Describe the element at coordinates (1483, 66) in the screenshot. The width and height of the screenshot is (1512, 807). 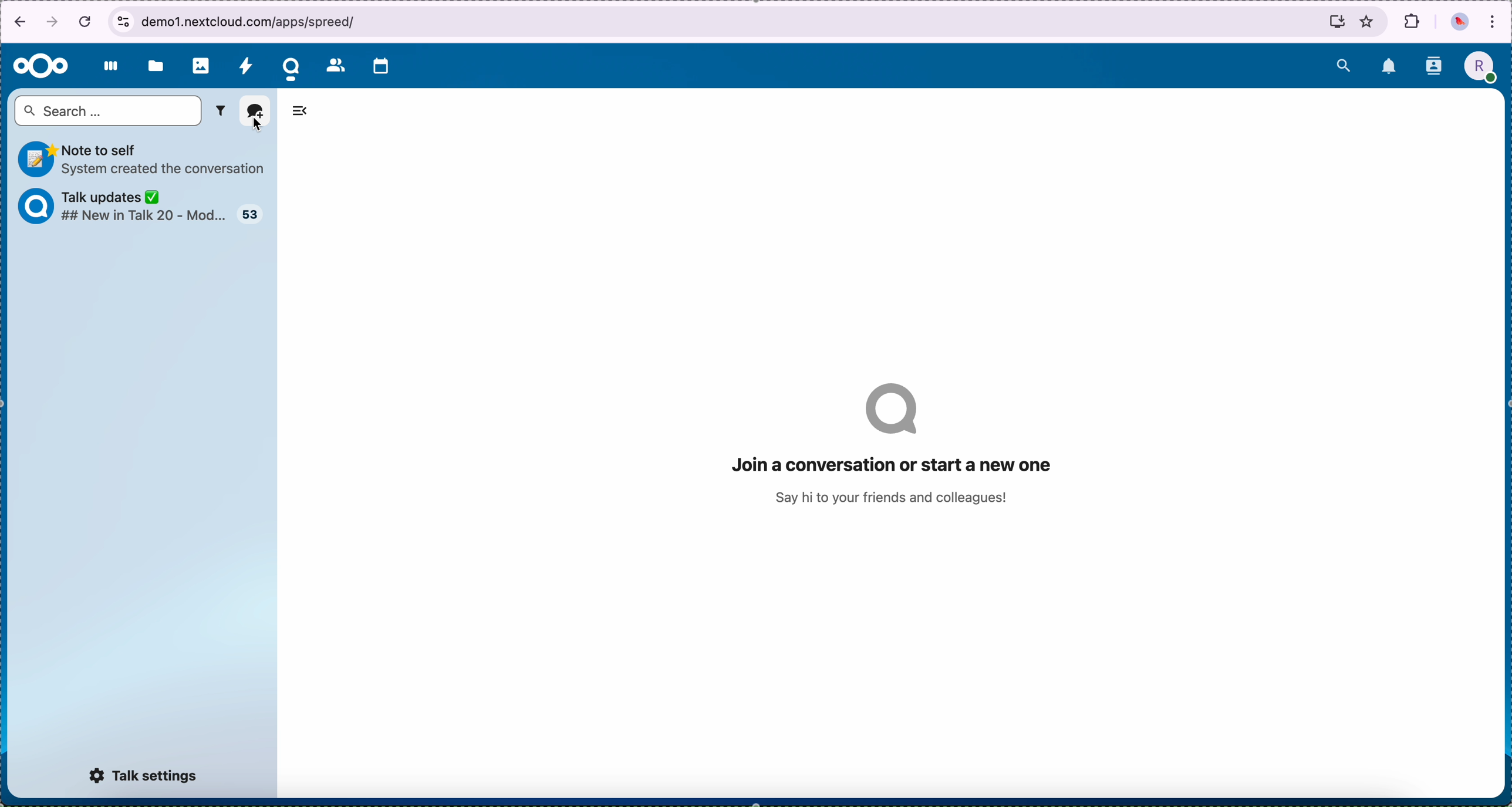
I see `profile picture` at that location.